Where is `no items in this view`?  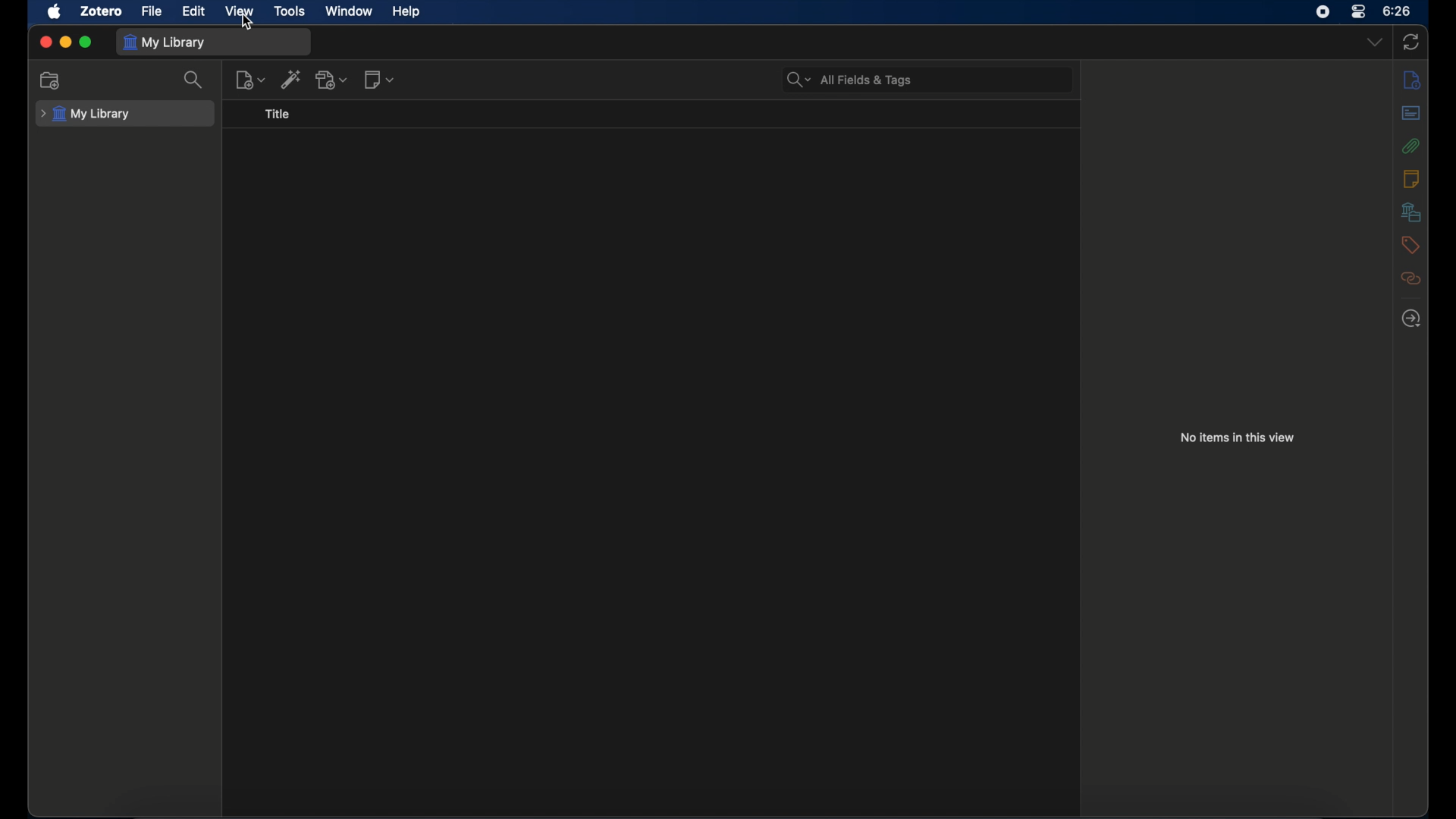
no items in this view is located at coordinates (1238, 438).